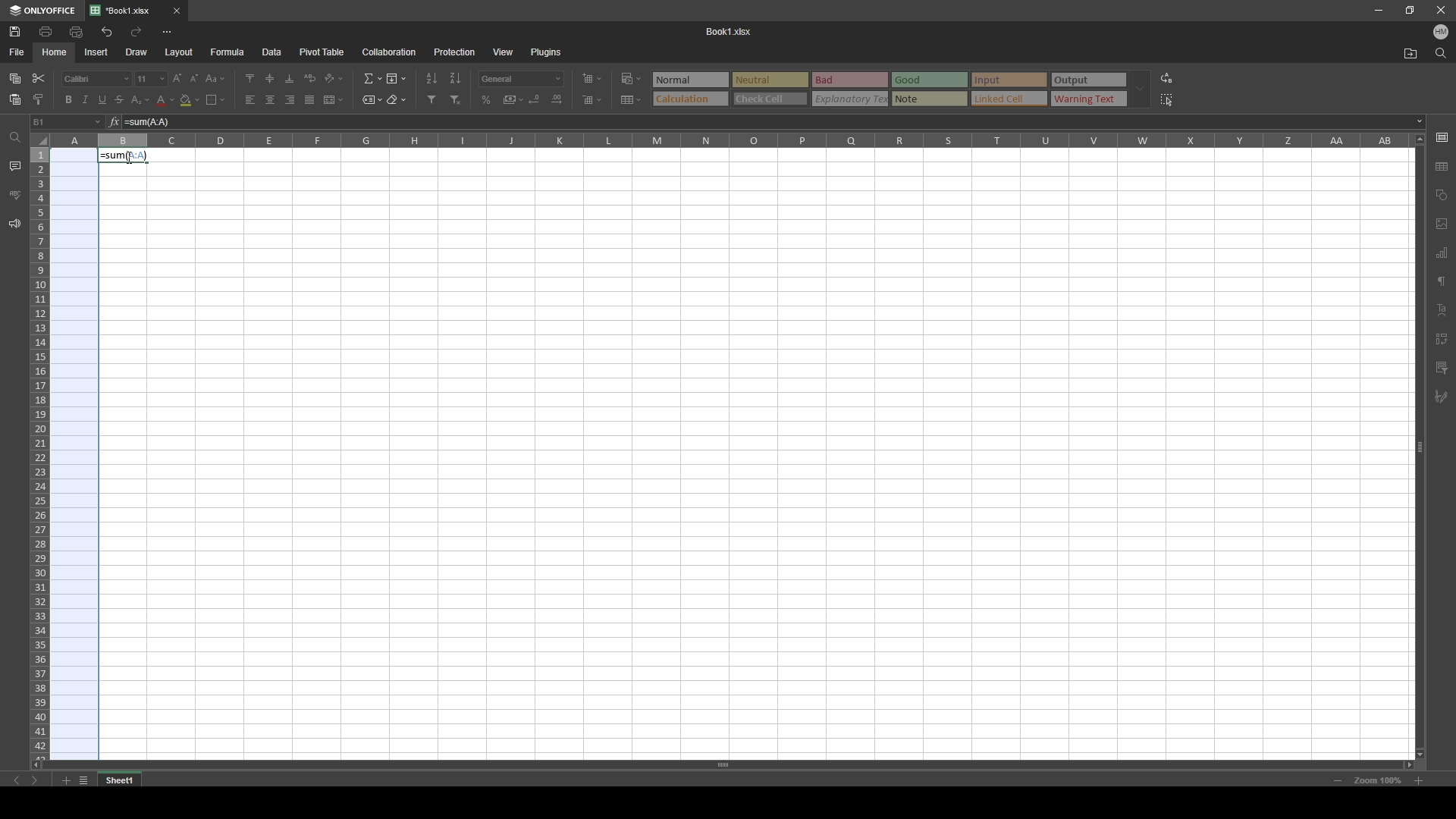  What do you see at coordinates (136, 32) in the screenshot?
I see `redo` at bounding box center [136, 32].